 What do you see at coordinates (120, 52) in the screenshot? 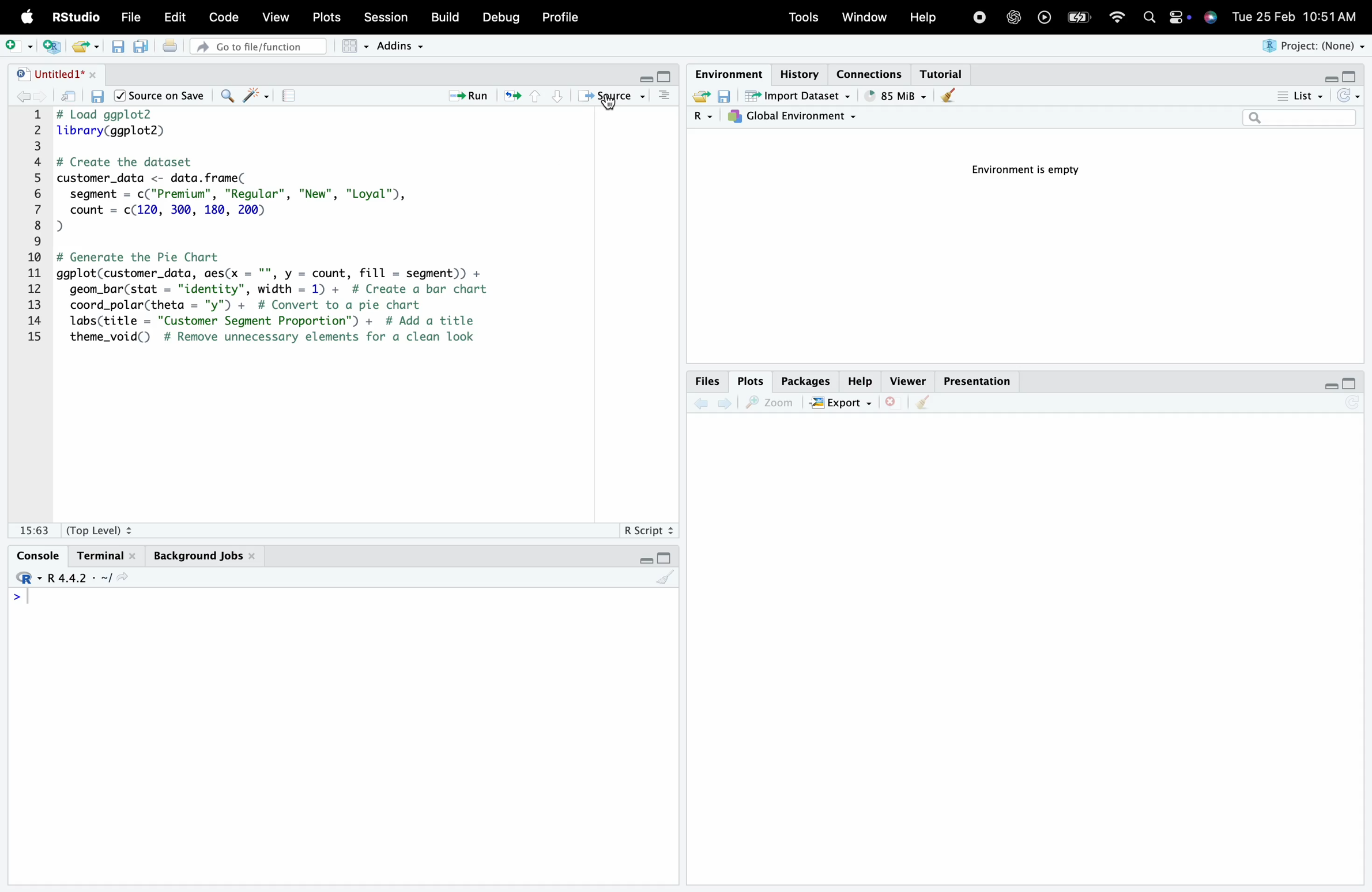
I see `save script` at bounding box center [120, 52].